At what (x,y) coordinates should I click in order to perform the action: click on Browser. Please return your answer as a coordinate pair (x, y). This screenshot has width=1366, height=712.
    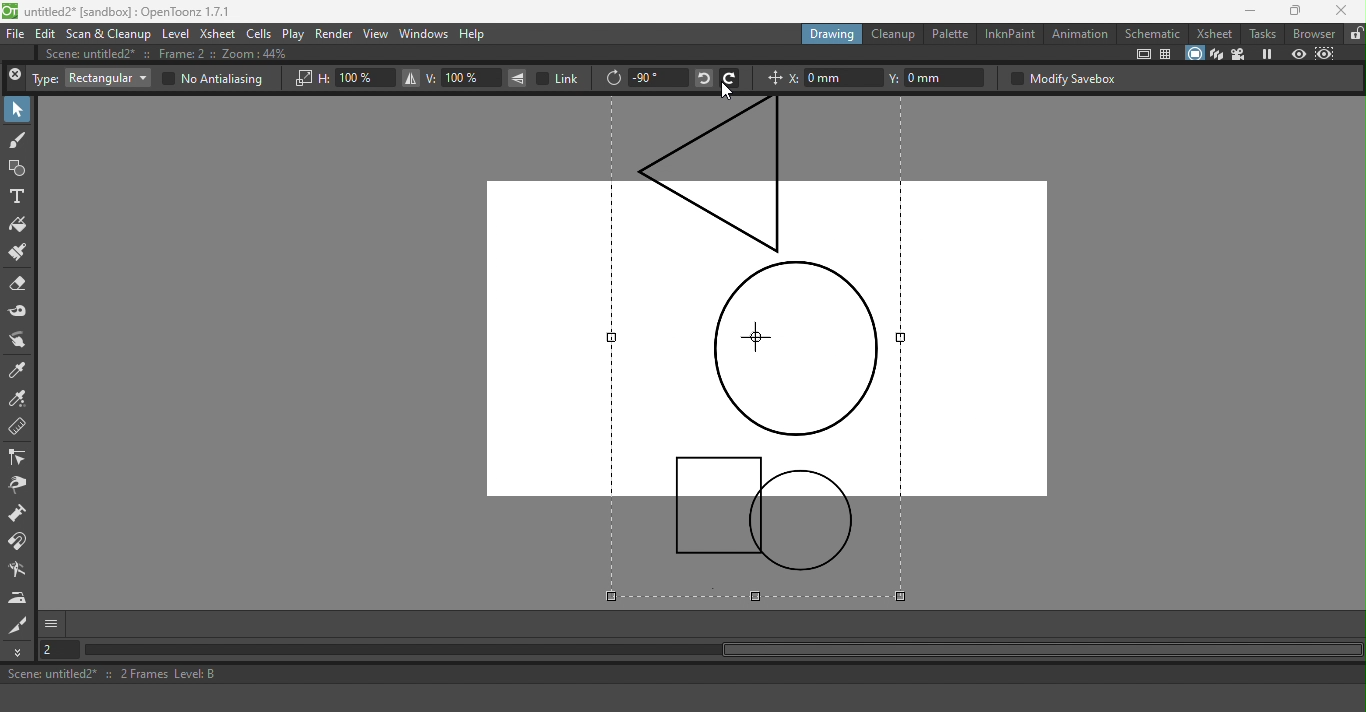
    Looking at the image, I should click on (1312, 33).